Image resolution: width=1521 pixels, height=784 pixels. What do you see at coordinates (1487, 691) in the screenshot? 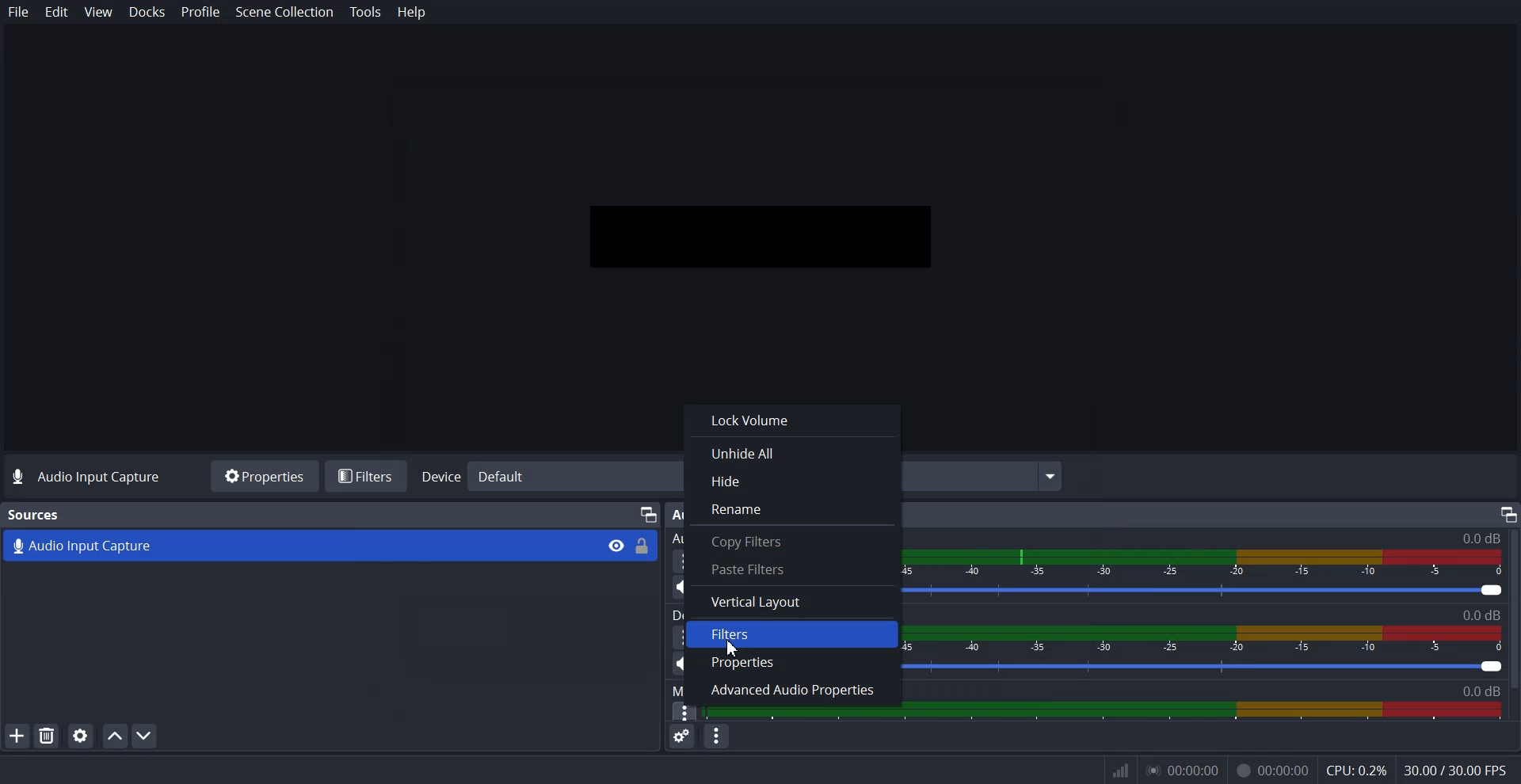
I see `0.00db` at bounding box center [1487, 691].